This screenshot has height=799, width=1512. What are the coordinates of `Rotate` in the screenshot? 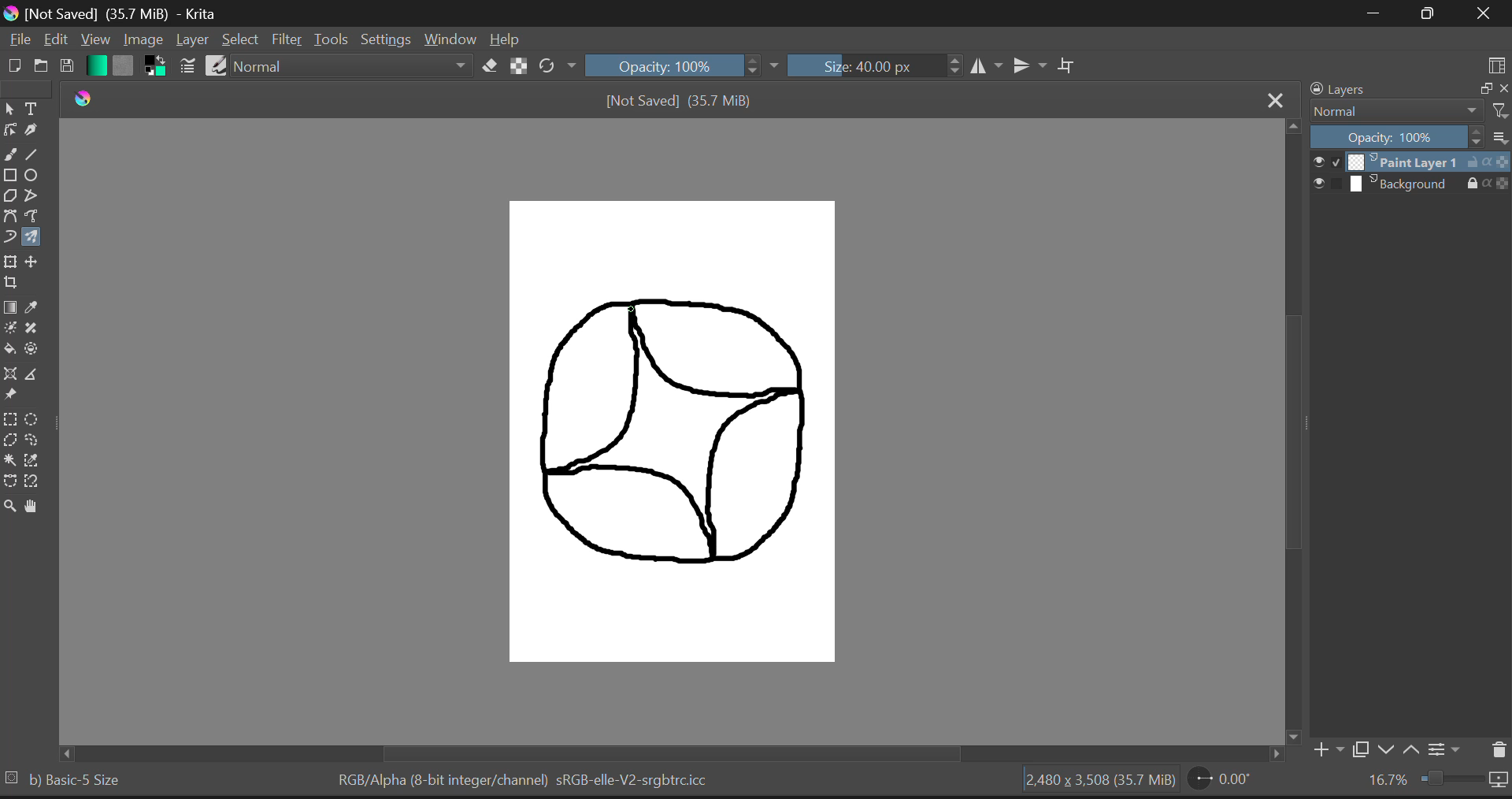 It's located at (557, 65).